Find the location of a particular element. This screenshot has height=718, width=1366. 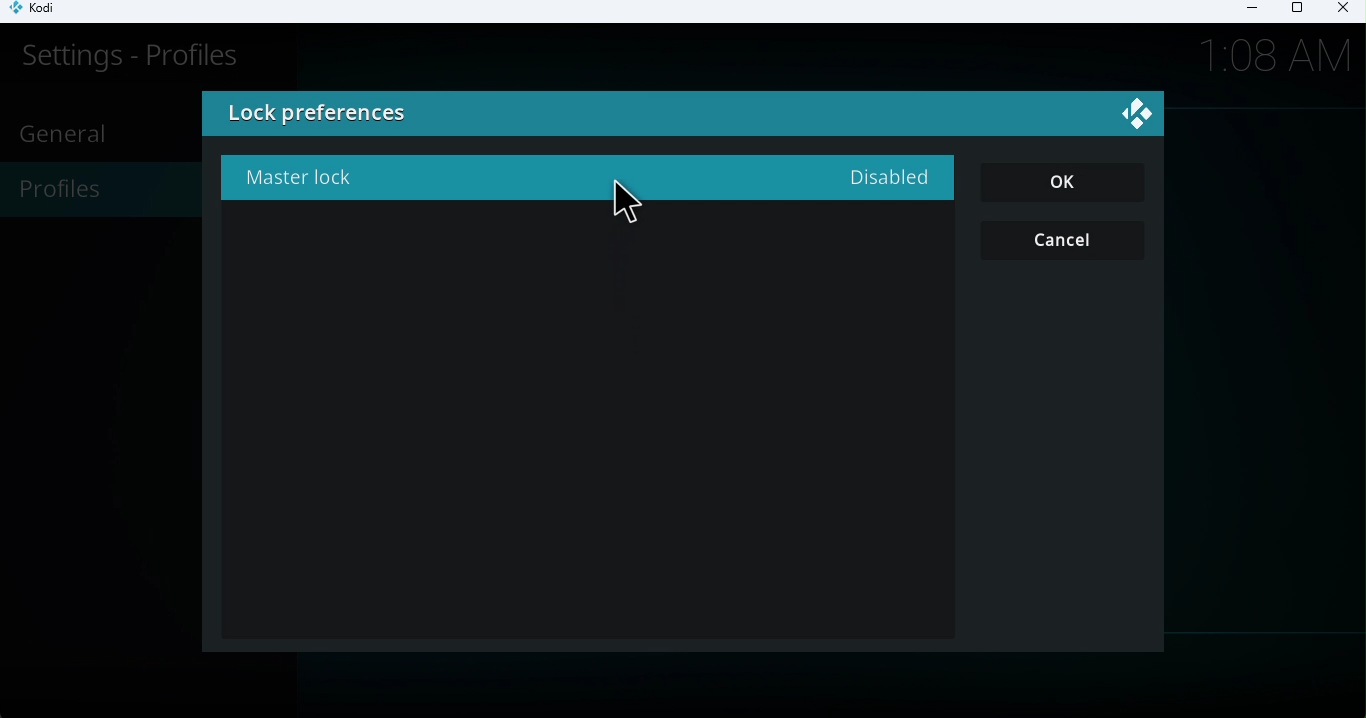

Time is located at coordinates (1277, 53).